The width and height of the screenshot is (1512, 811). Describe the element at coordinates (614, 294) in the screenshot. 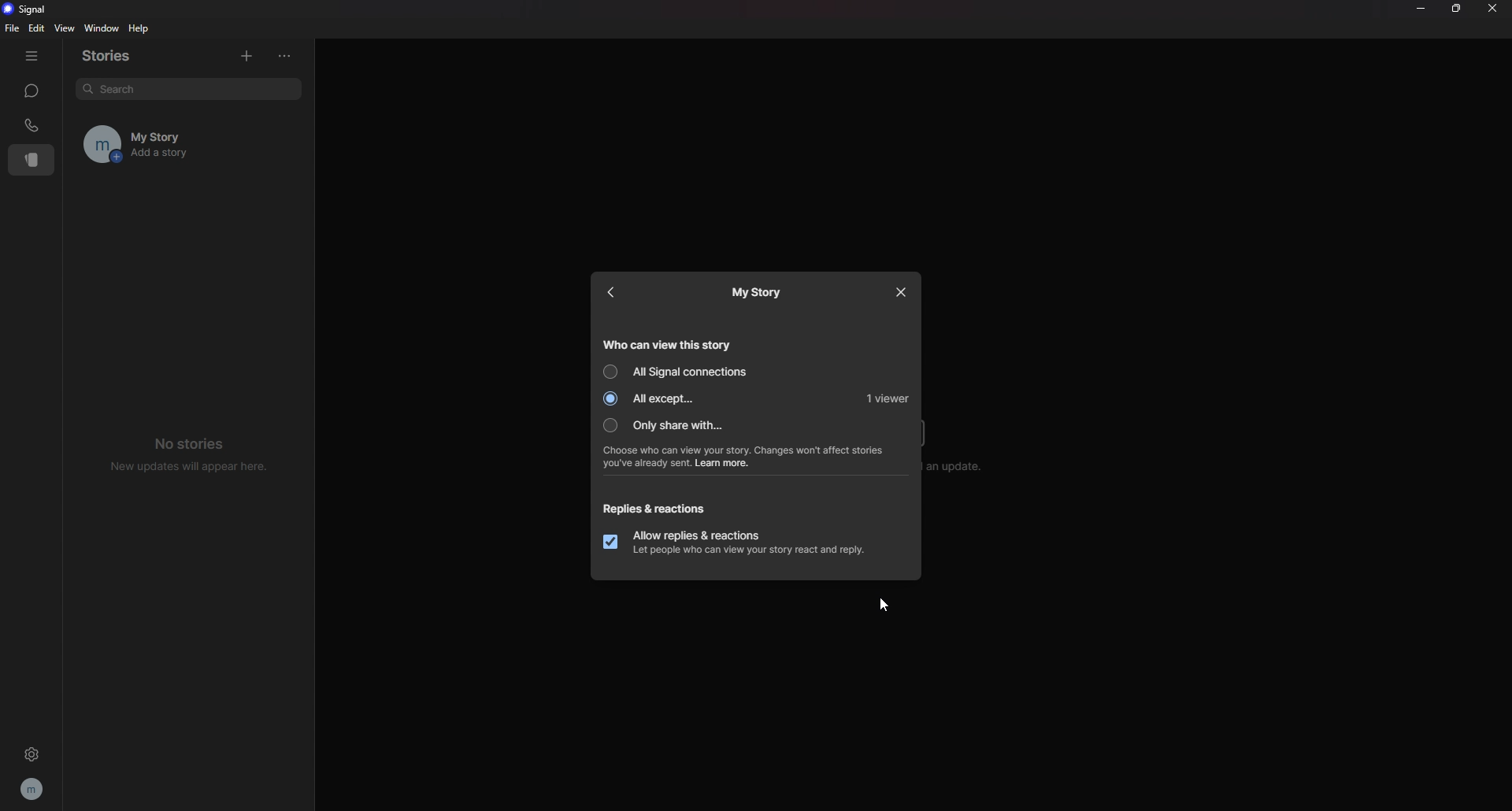

I see `back` at that location.